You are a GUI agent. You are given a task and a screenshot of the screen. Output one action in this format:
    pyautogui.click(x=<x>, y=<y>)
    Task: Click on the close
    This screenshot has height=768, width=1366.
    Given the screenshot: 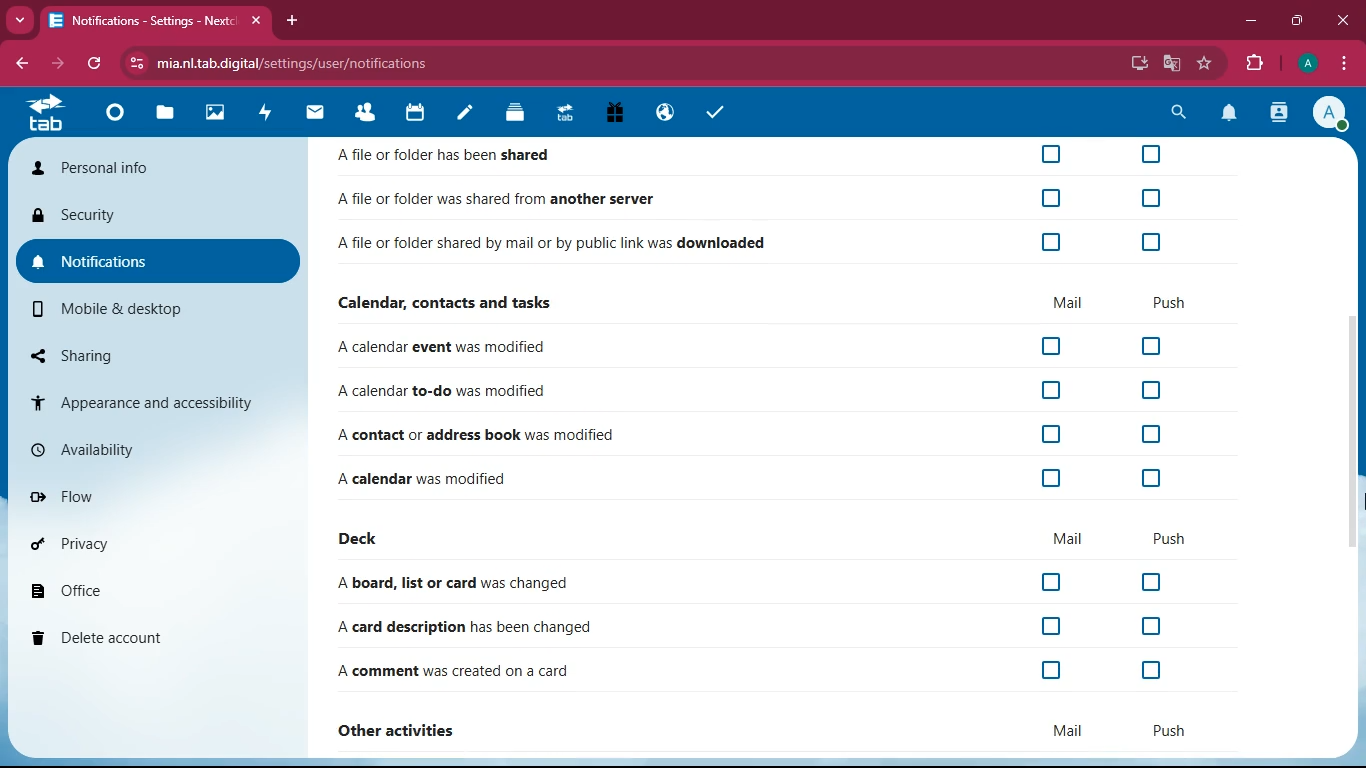 What is the action you would take?
    pyautogui.click(x=1342, y=20)
    